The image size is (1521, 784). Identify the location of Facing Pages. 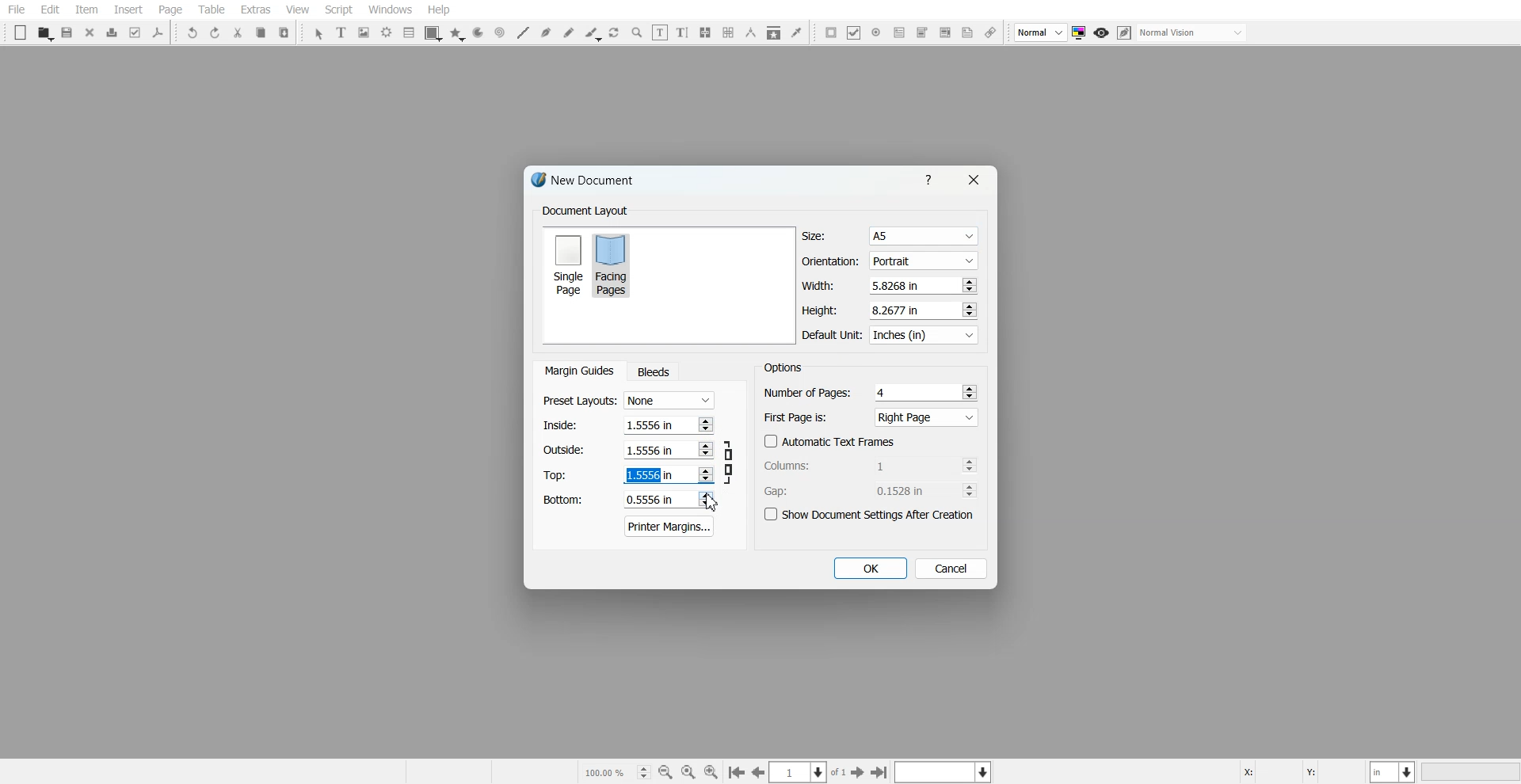
(614, 265).